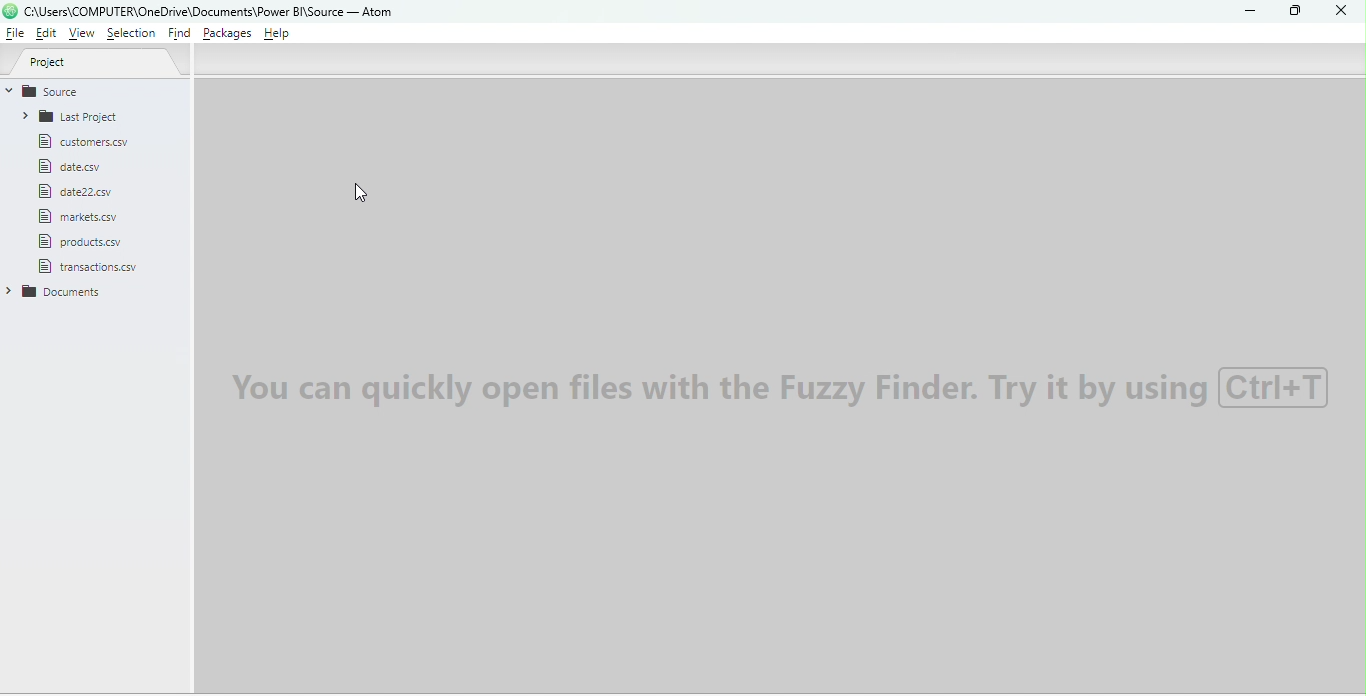 The height and width of the screenshot is (696, 1366). I want to click on Folder, so click(61, 293).